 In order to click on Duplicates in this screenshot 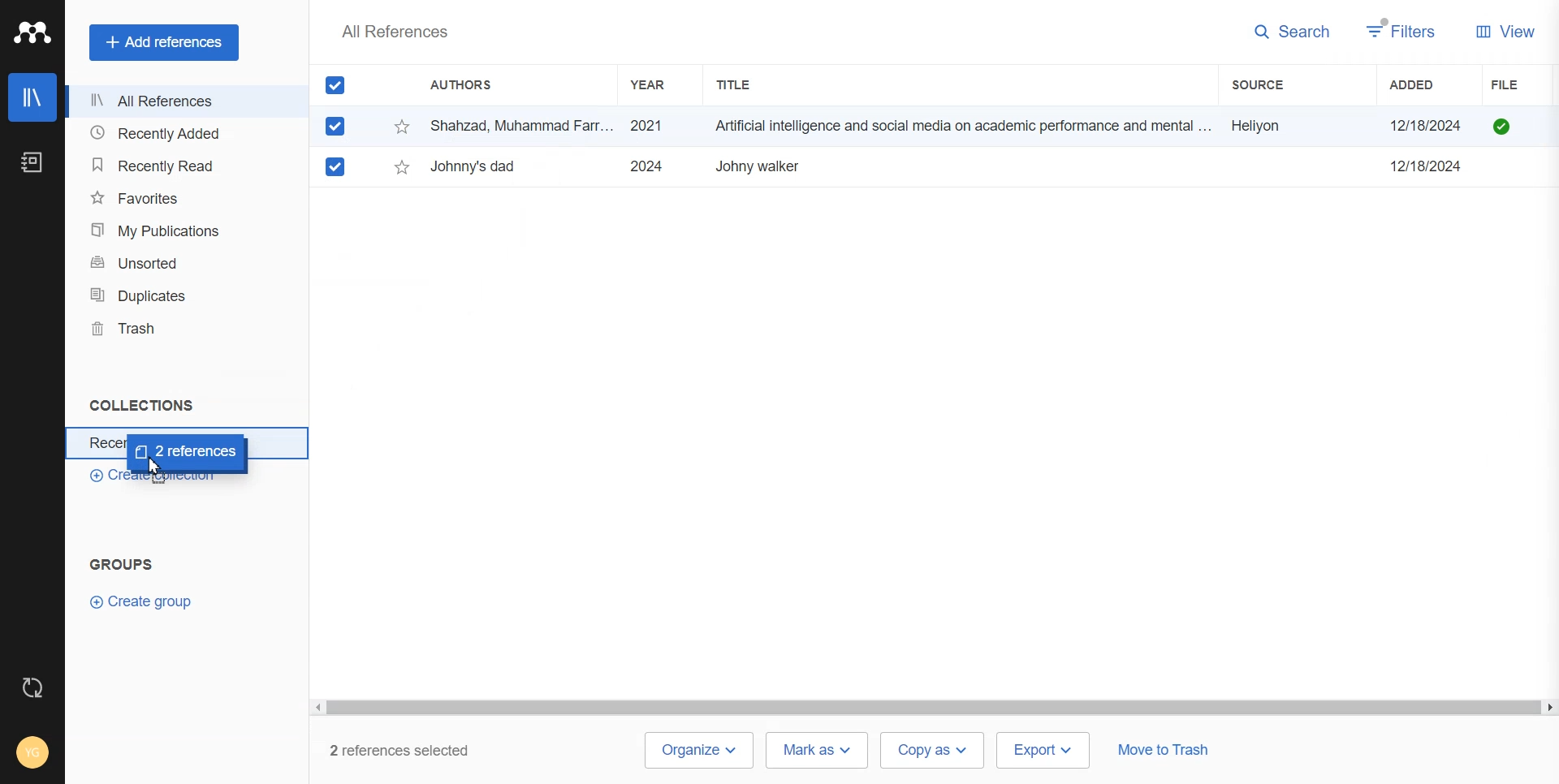, I will do `click(181, 295)`.